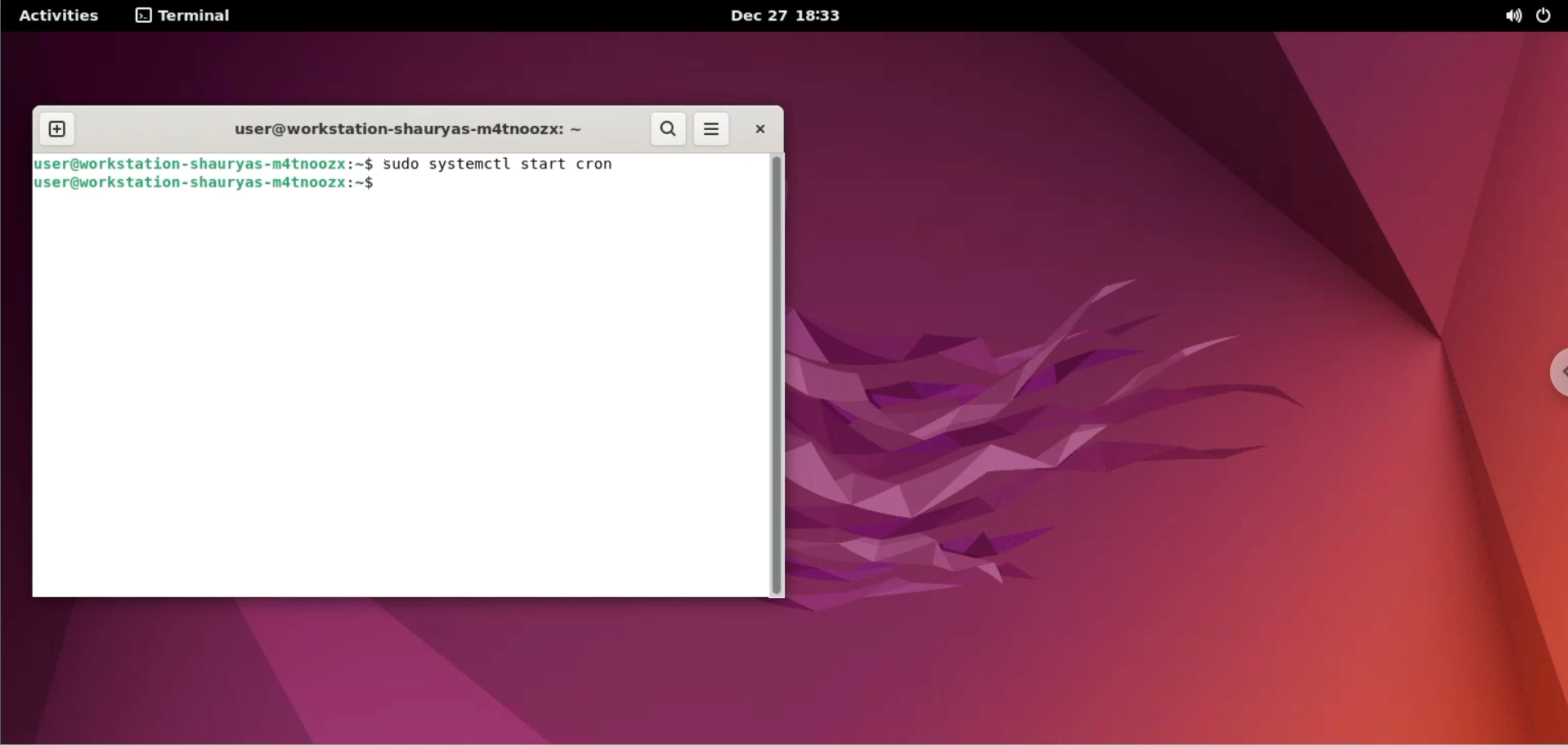  What do you see at coordinates (216, 183) in the screenshot?
I see `user@workstation-shauryas-m4tnoozx:~$` at bounding box center [216, 183].